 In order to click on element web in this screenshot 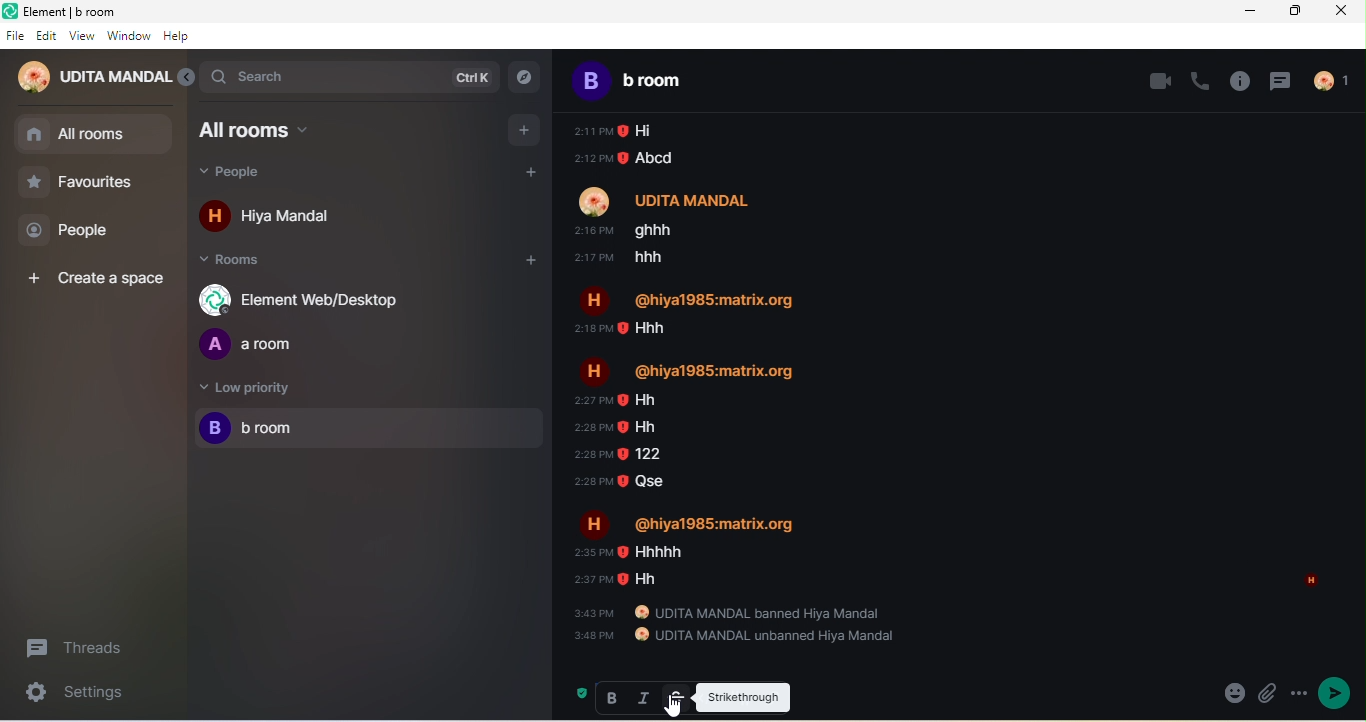, I will do `click(308, 299)`.